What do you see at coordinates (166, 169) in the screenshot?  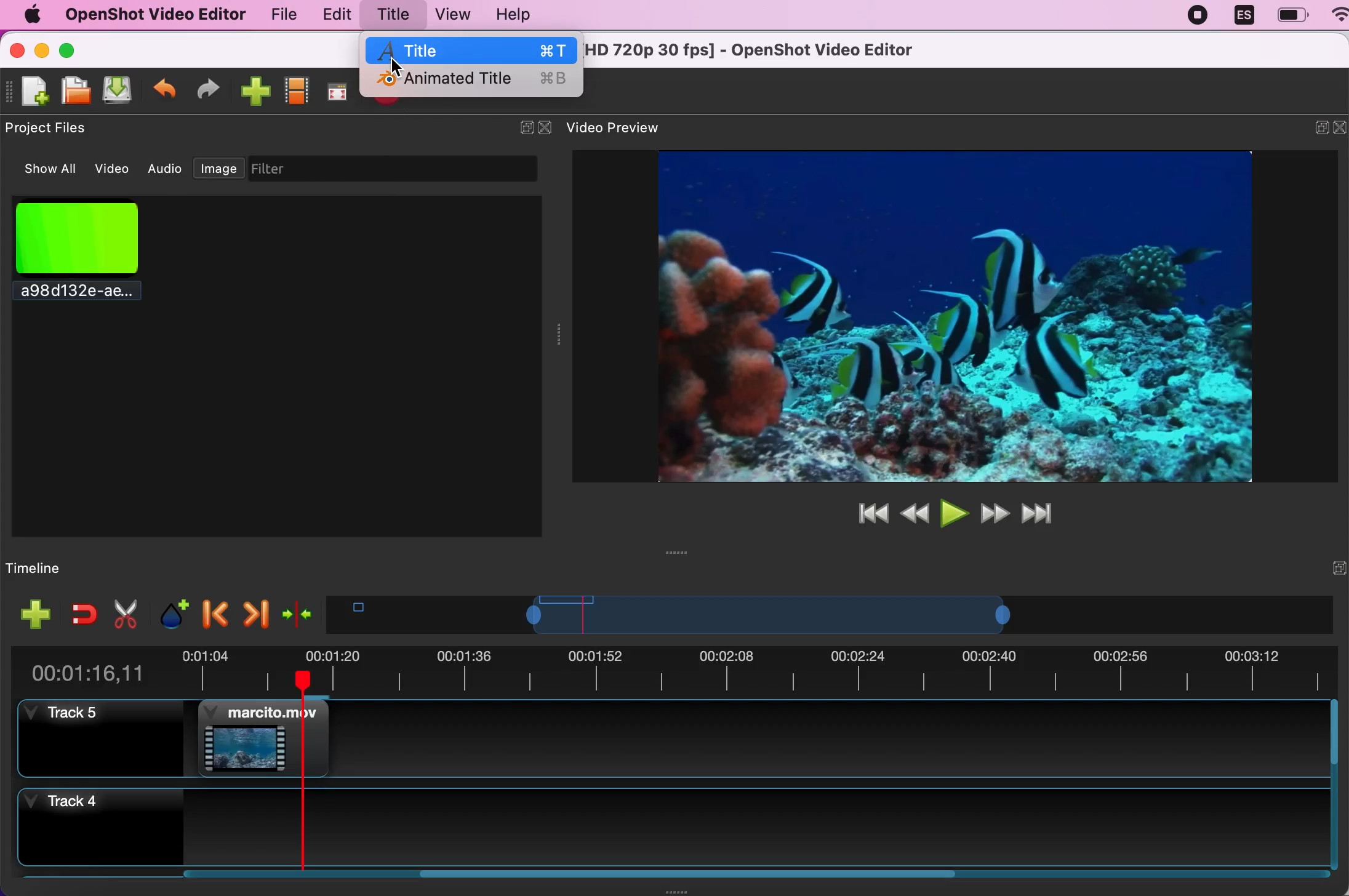 I see `audio` at bounding box center [166, 169].